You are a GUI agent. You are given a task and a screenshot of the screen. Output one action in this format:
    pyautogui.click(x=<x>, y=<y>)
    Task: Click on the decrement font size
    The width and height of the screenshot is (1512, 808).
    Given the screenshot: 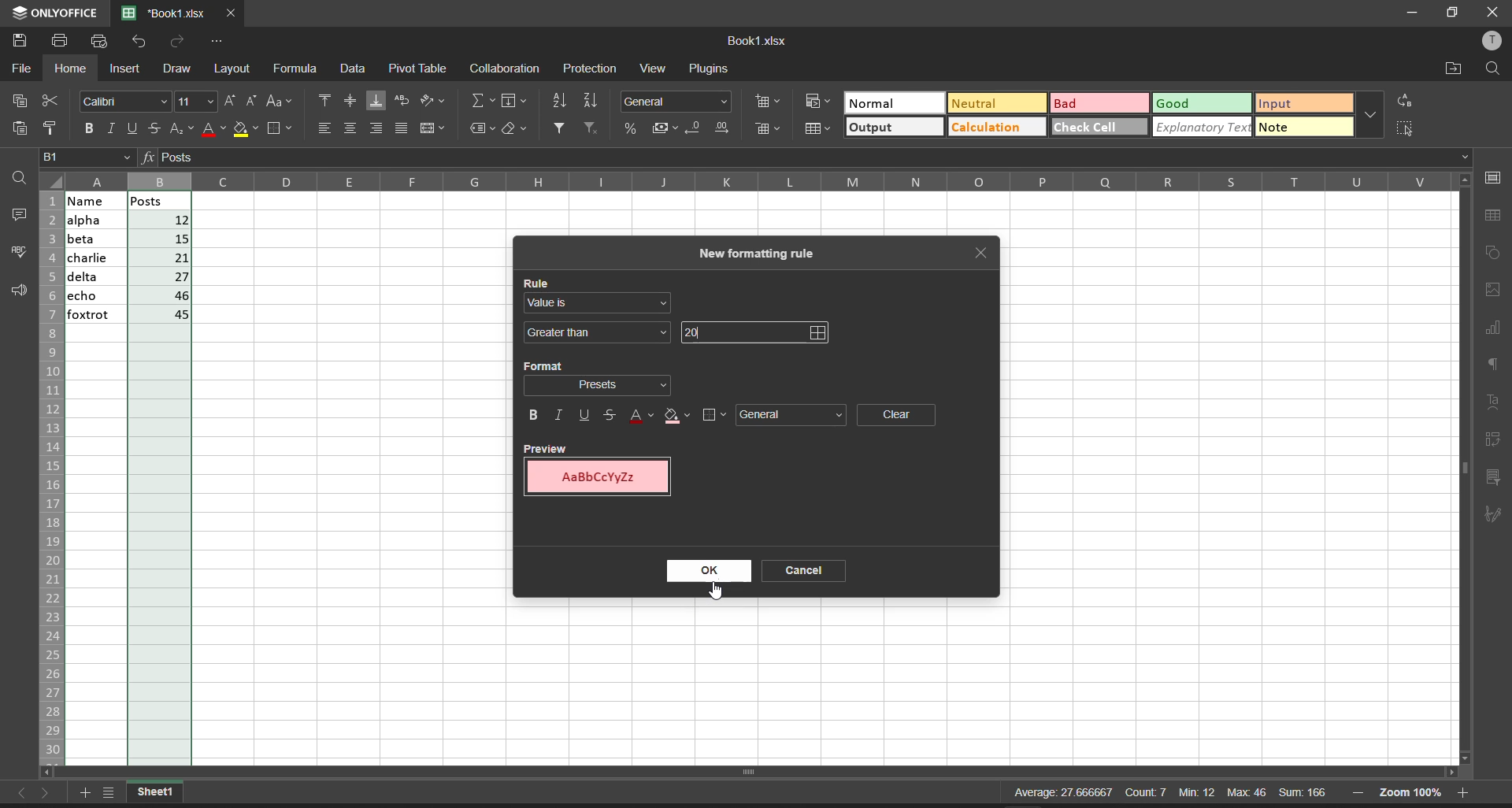 What is the action you would take?
    pyautogui.click(x=253, y=98)
    